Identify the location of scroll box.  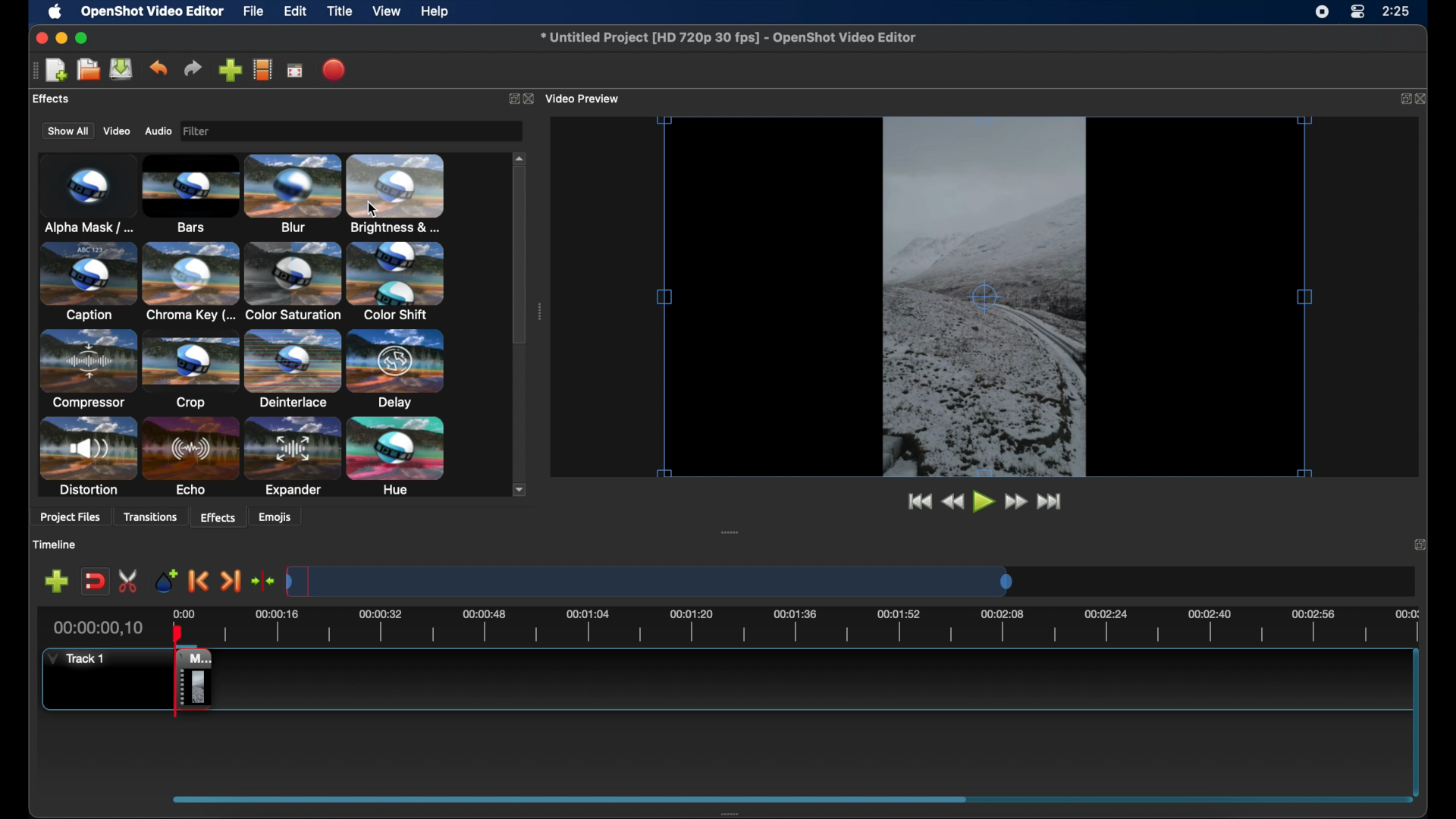
(519, 258).